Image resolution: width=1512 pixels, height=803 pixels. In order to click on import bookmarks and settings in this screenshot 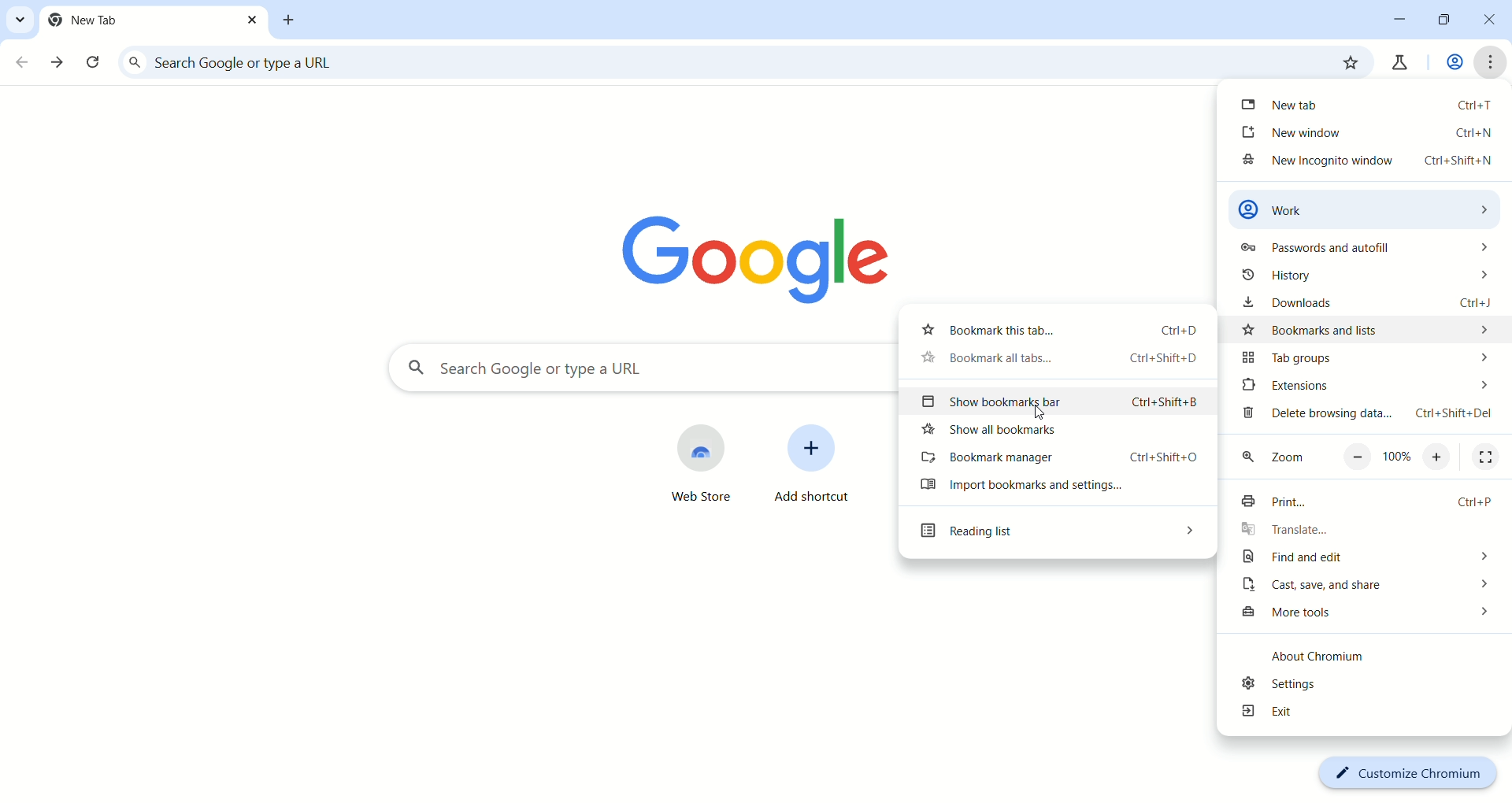, I will do `click(1055, 490)`.